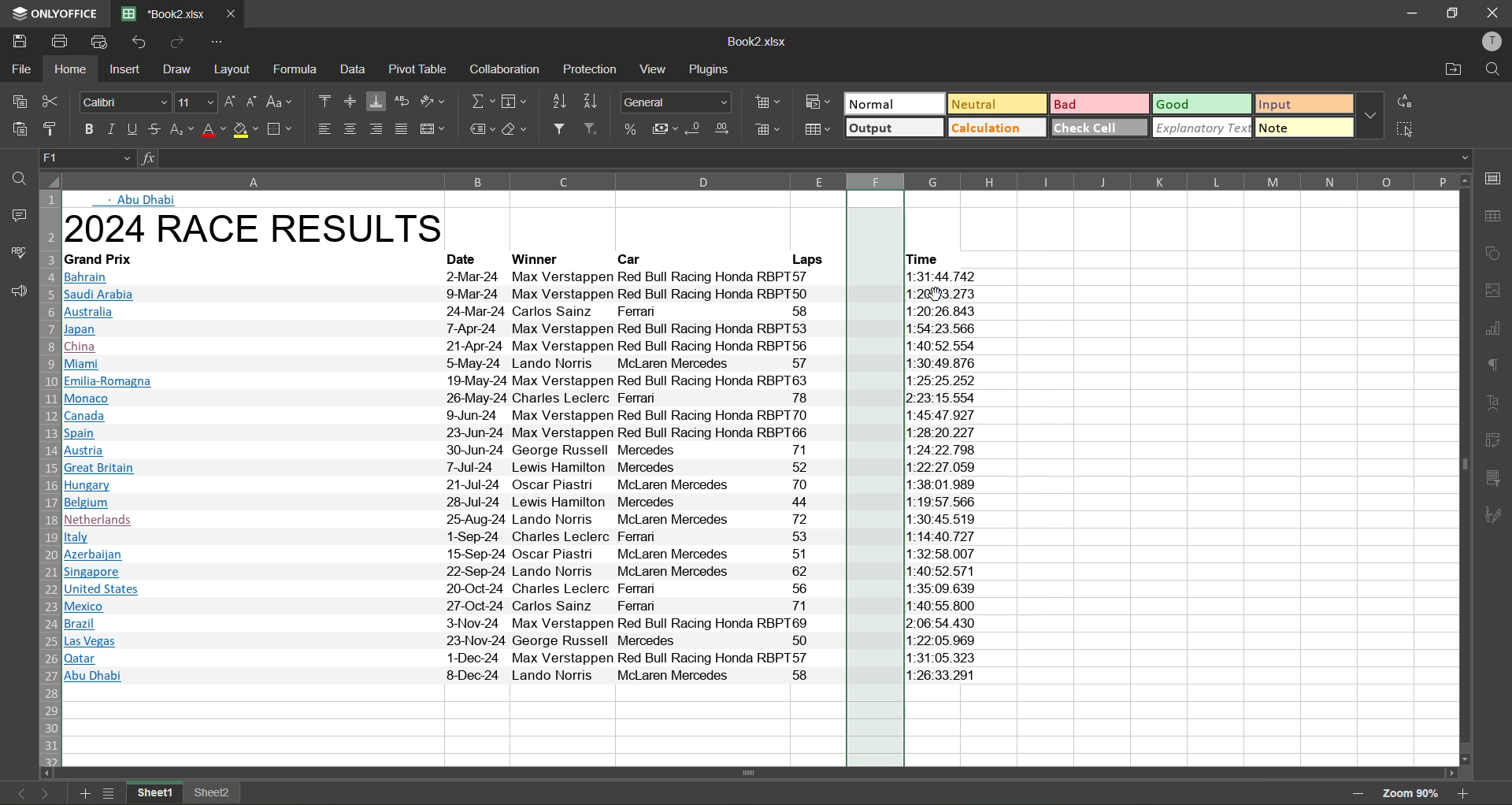 The width and height of the screenshot is (1512, 805). What do you see at coordinates (446, 555) in the screenshot?
I see `Azerbaijan 15-Sep-24 Oscar Piast McLaren Mercedes 7) | 1:32:58.007` at bounding box center [446, 555].